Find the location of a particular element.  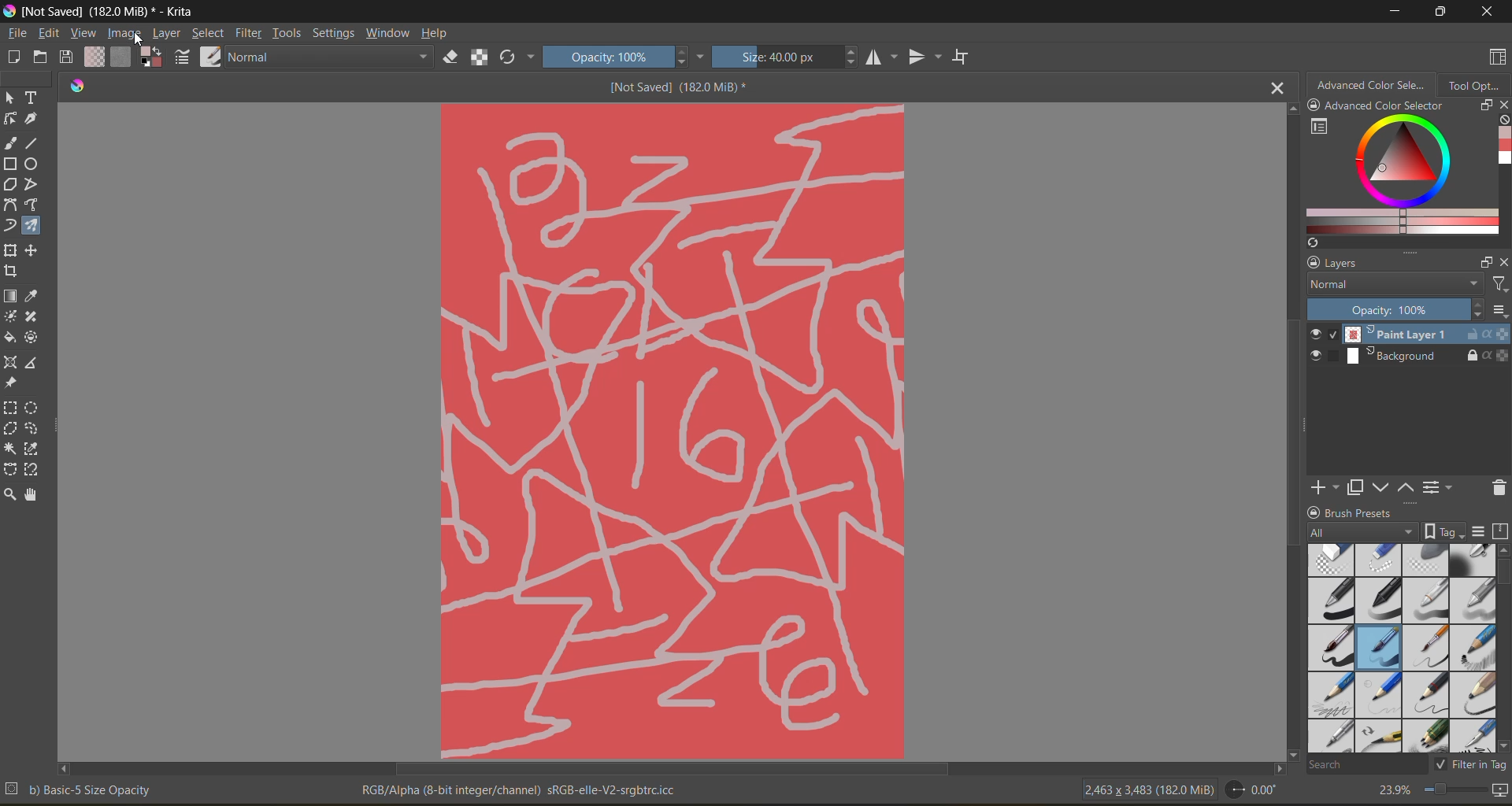

flip horizontally is located at coordinates (884, 58).